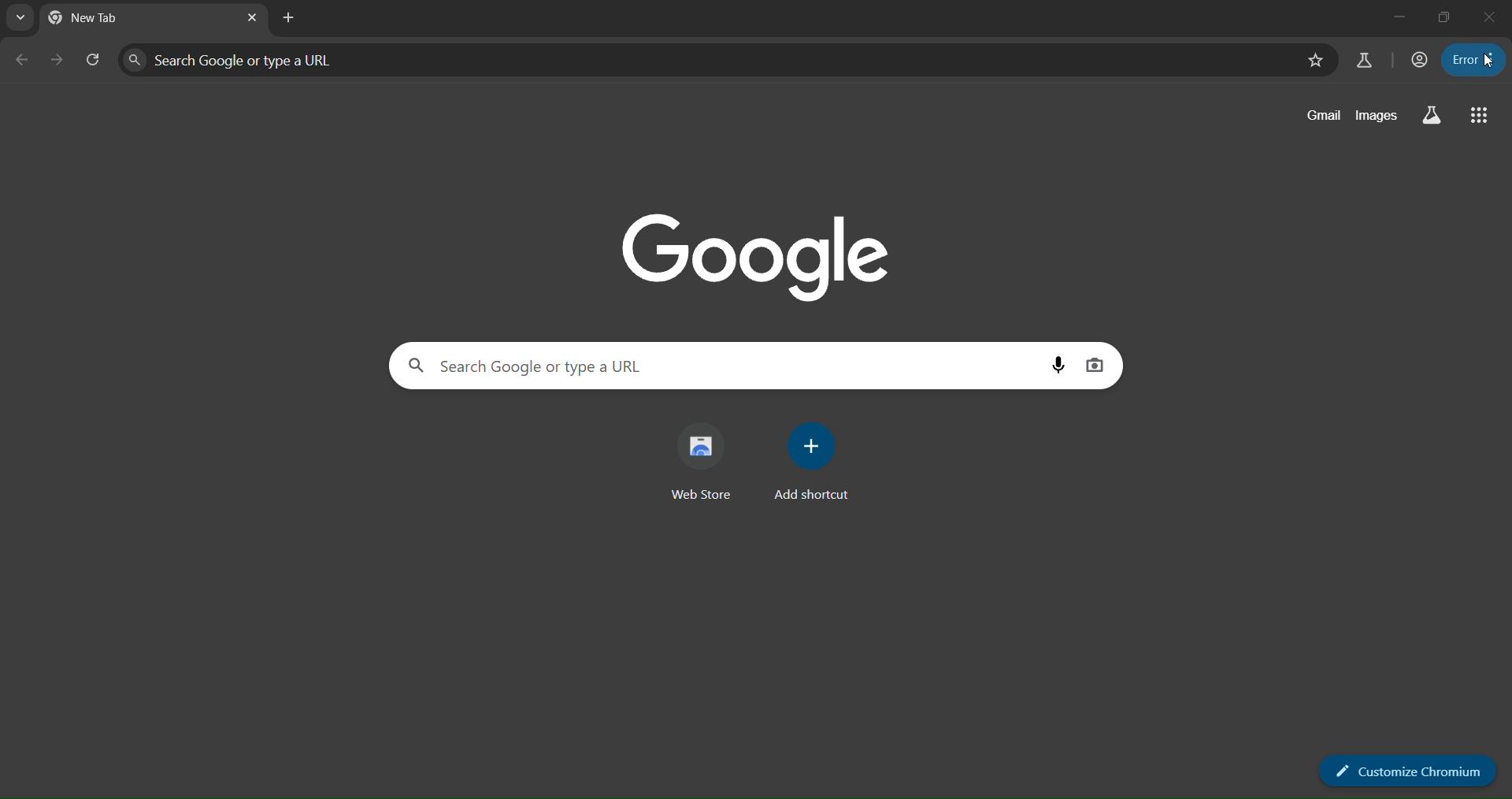 The width and height of the screenshot is (1512, 799). I want to click on accounts, so click(1421, 61).